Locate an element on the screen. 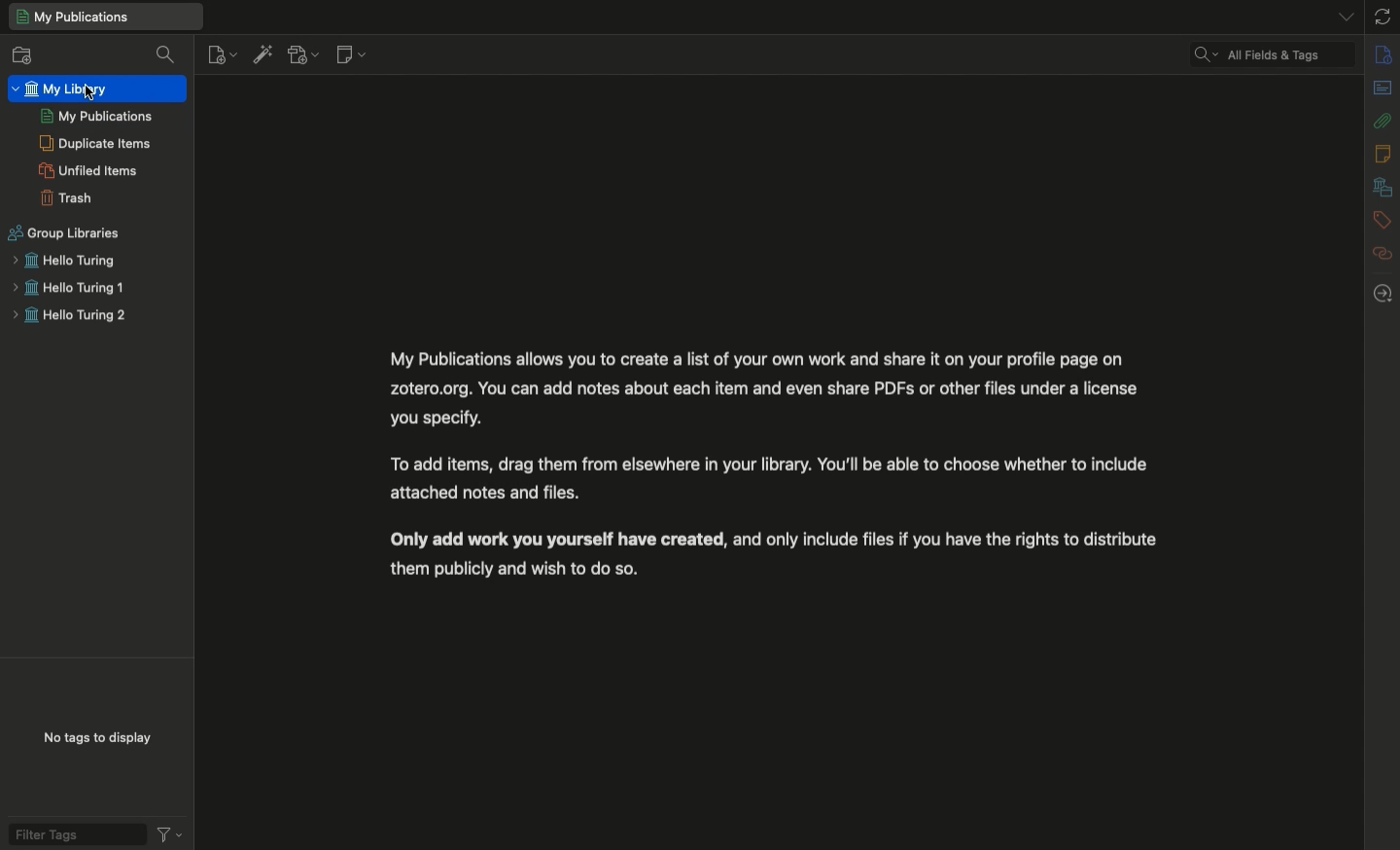 This screenshot has height=850, width=1400. My library is located at coordinates (87, 89).